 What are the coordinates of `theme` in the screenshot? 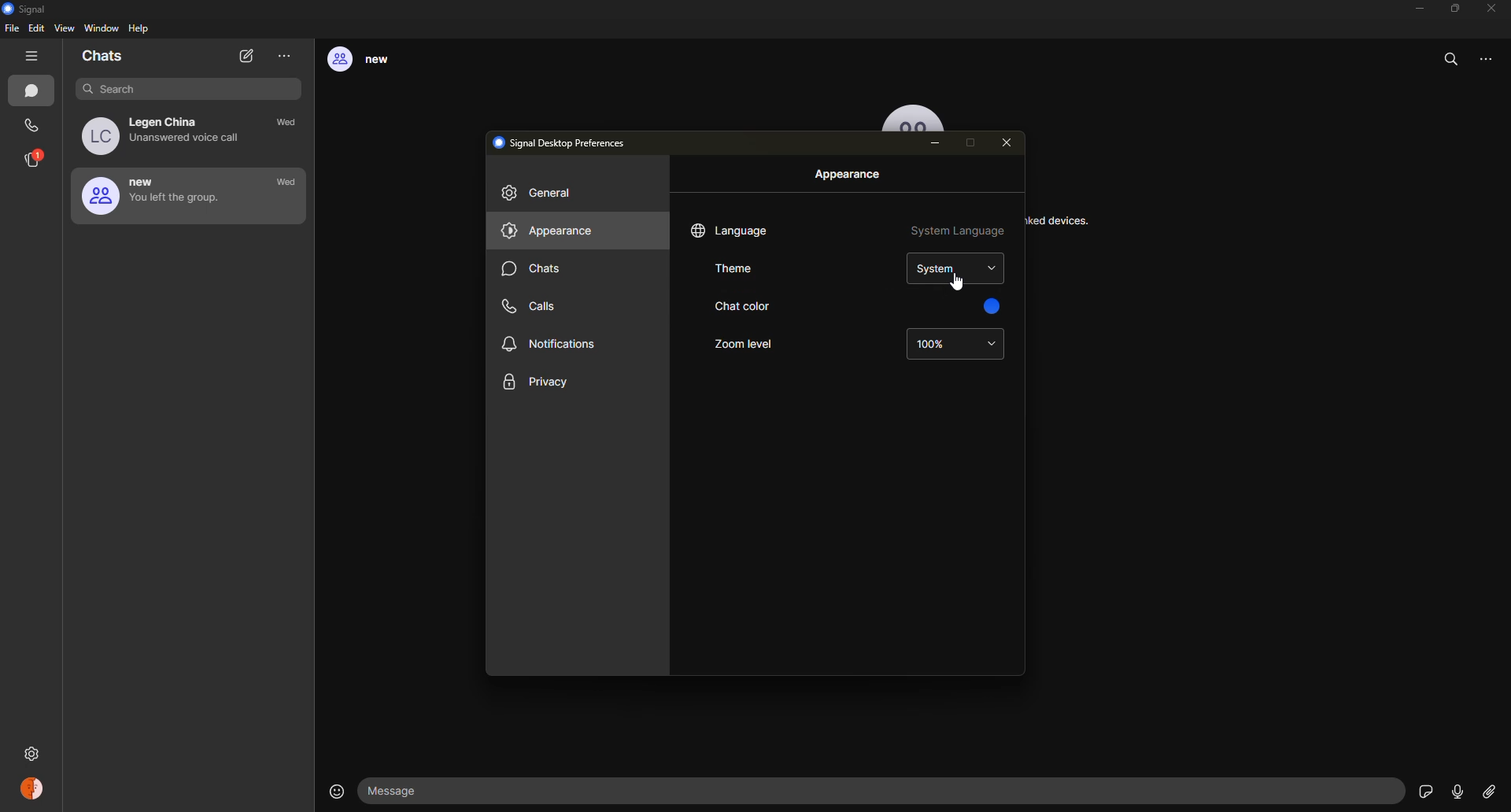 It's located at (741, 269).